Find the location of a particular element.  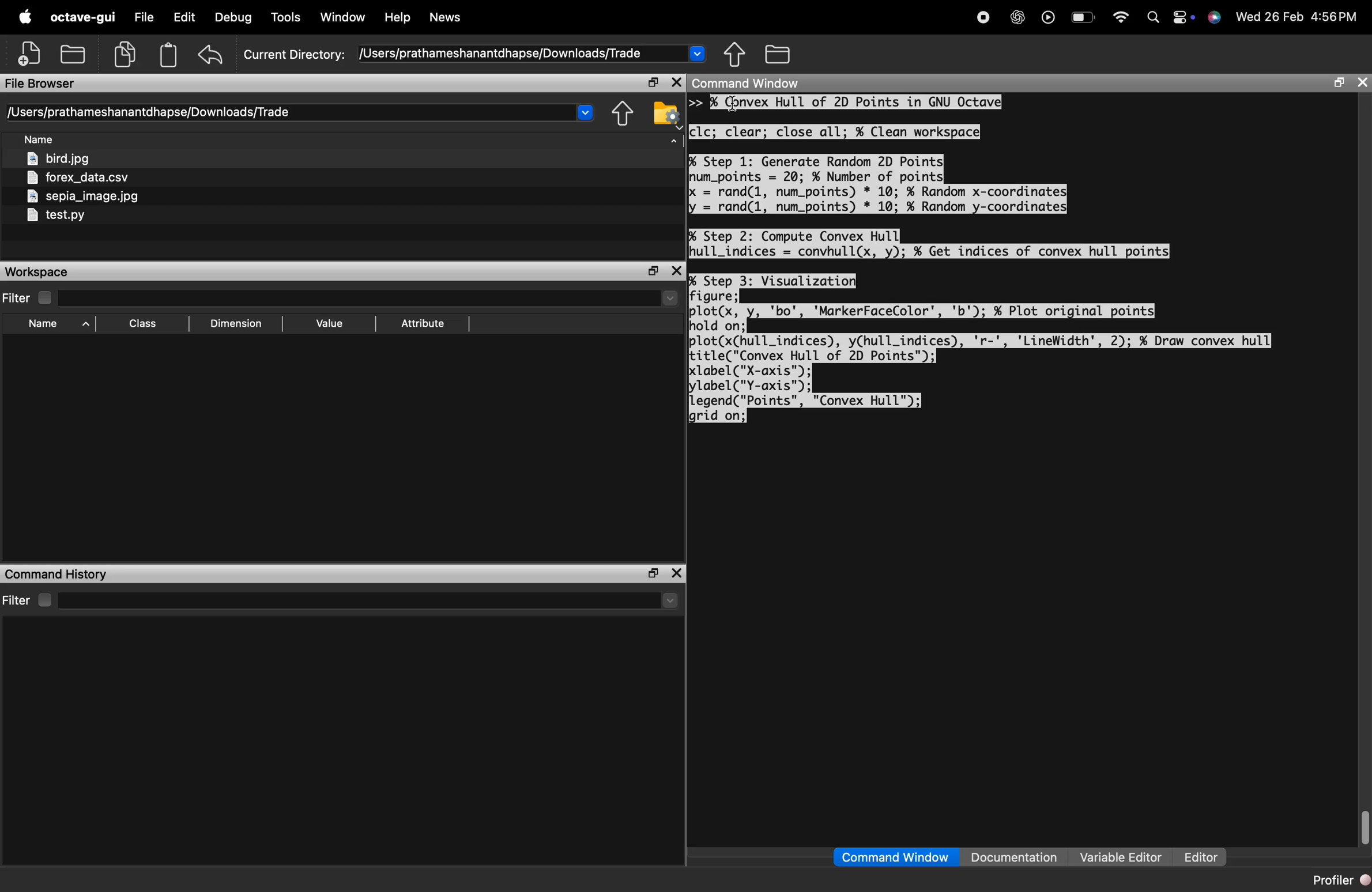

apple is located at coordinates (25, 16).